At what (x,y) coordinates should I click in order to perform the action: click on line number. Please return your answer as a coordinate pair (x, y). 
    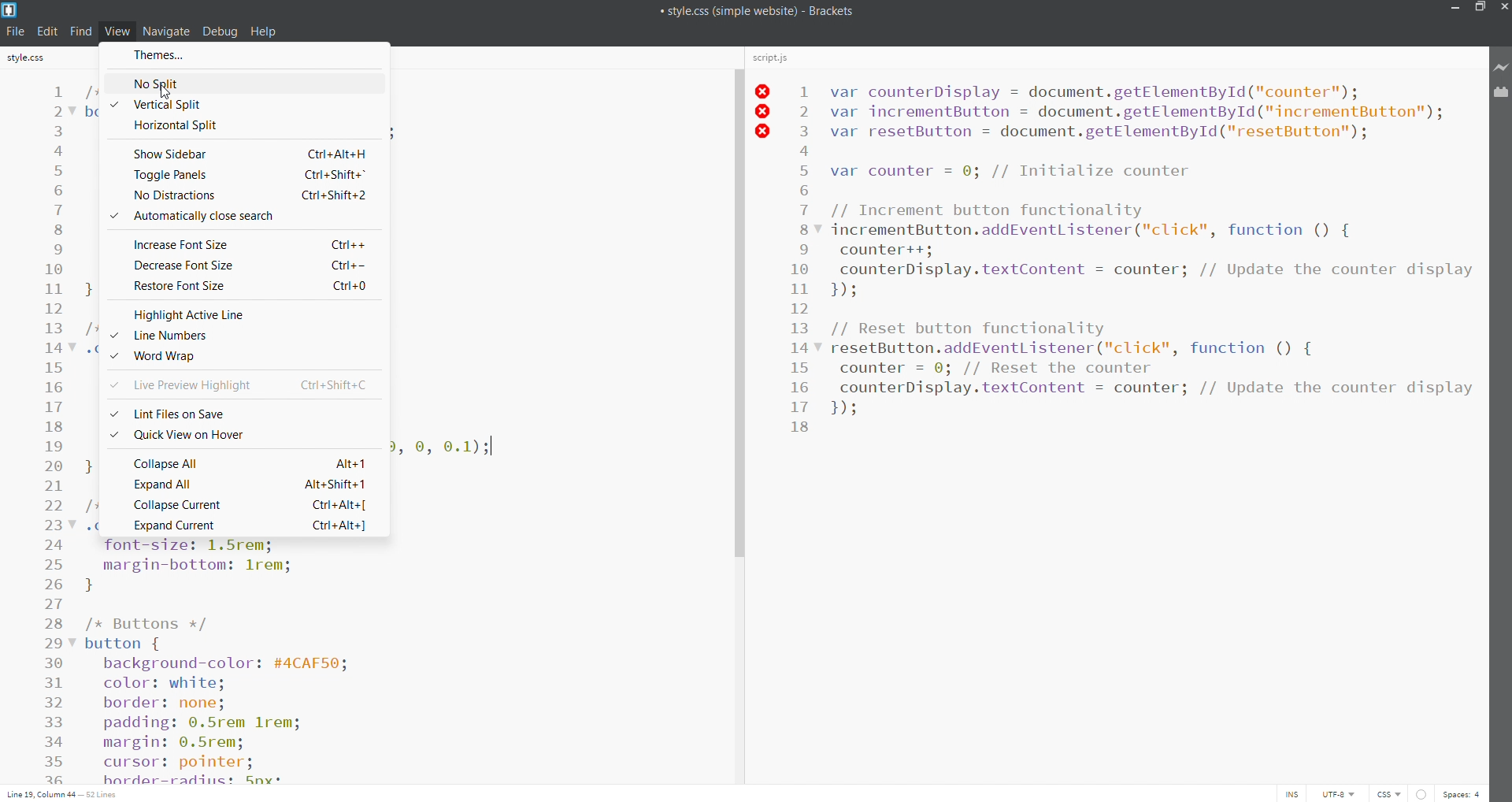
    Looking at the image, I should click on (55, 433).